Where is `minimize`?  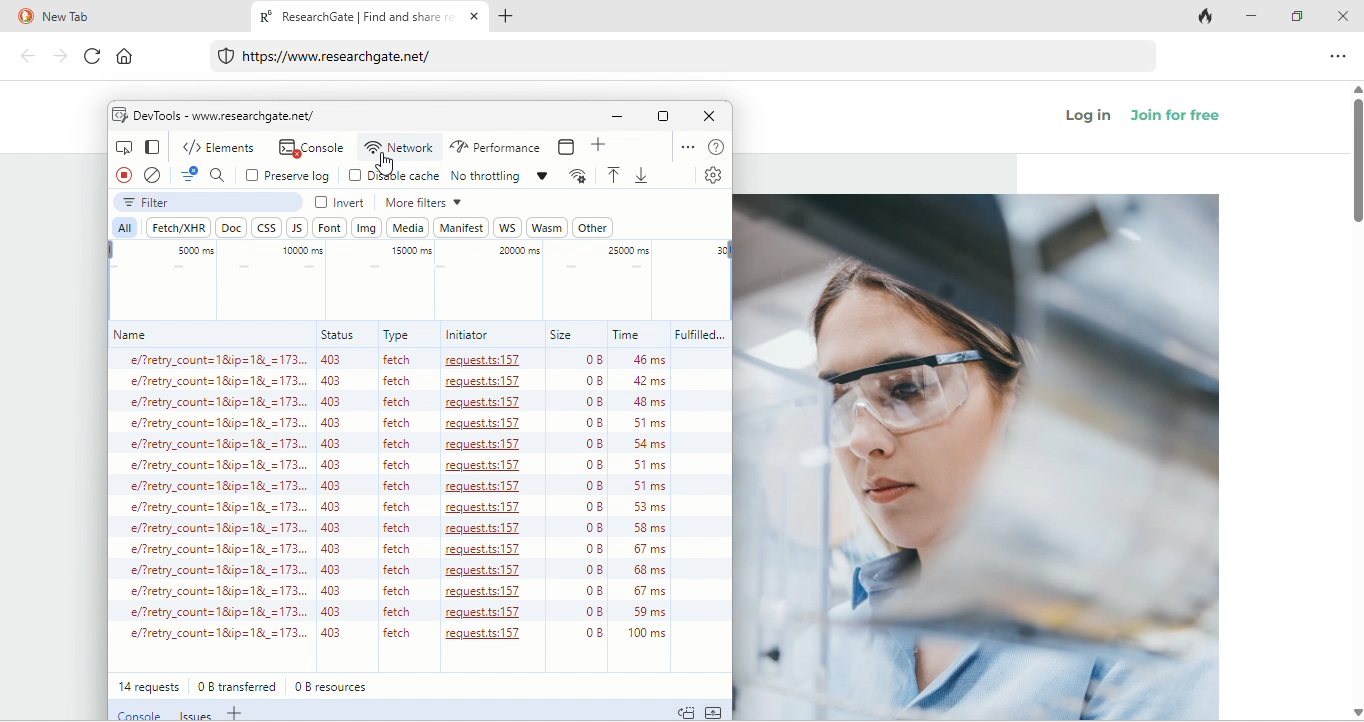 minimize is located at coordinates (616, 118).